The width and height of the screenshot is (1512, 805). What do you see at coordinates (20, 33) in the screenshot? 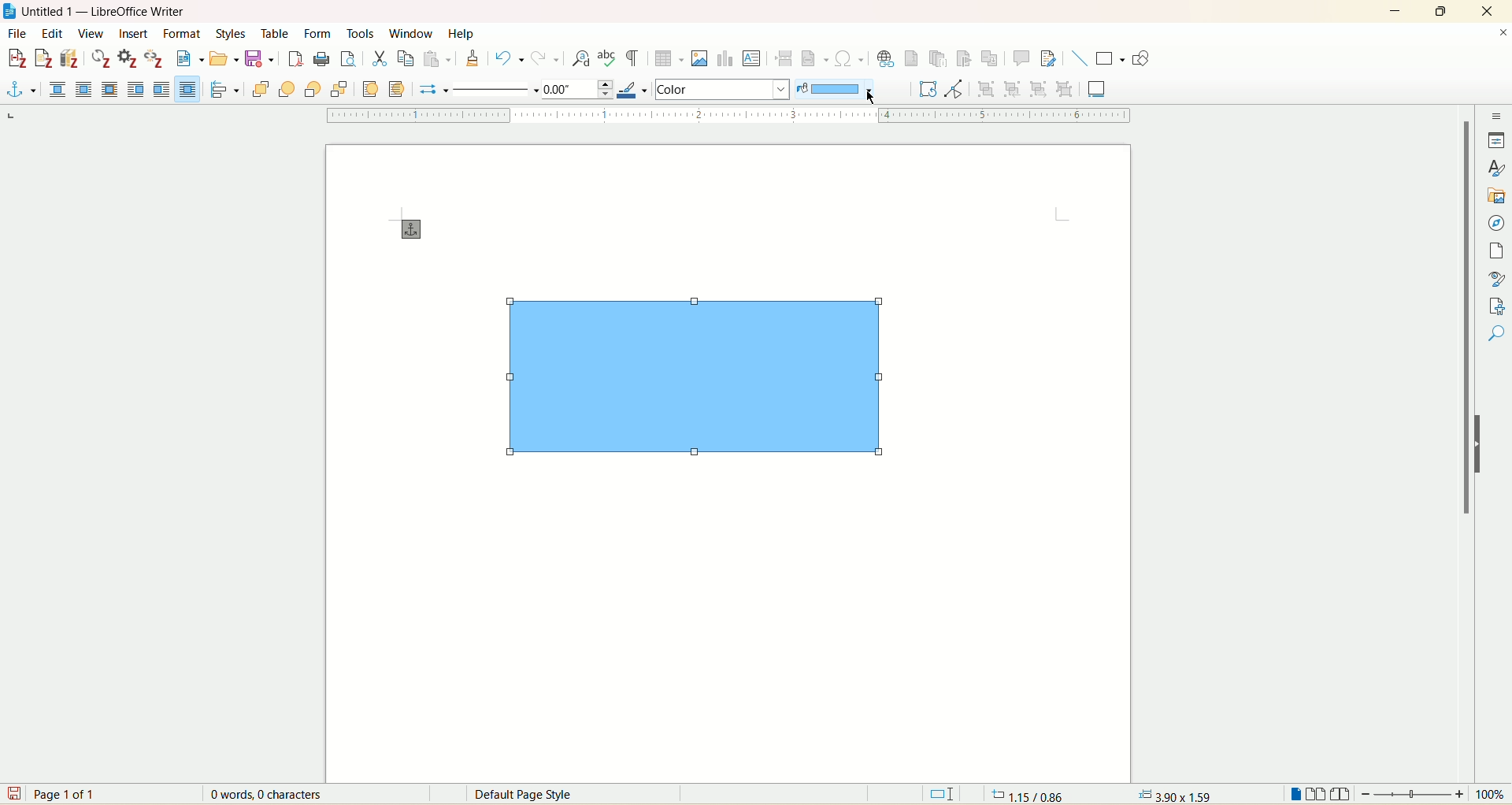
I see `file` at bounding box center [20, 33].